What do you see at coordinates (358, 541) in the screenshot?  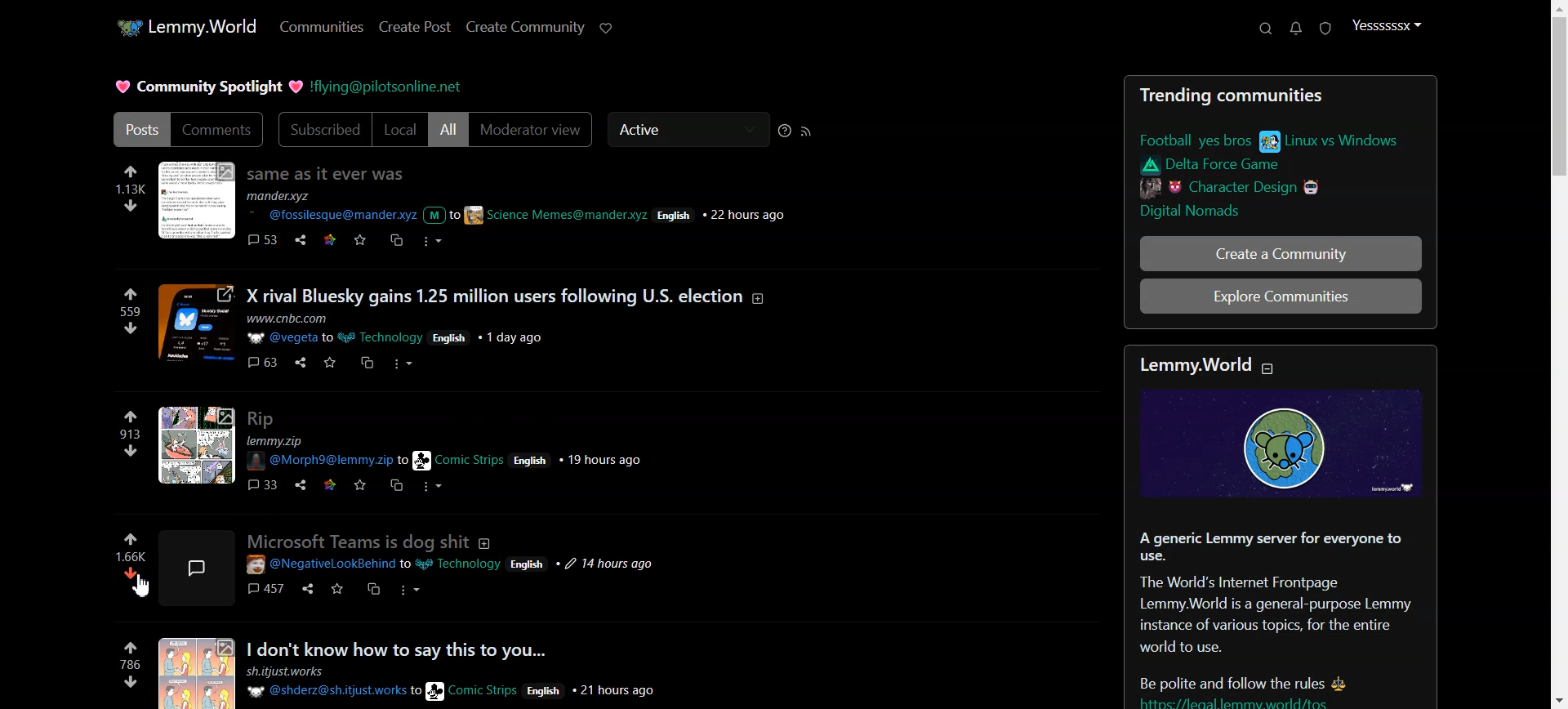 I see `Text` at bounding box center [358, 541].